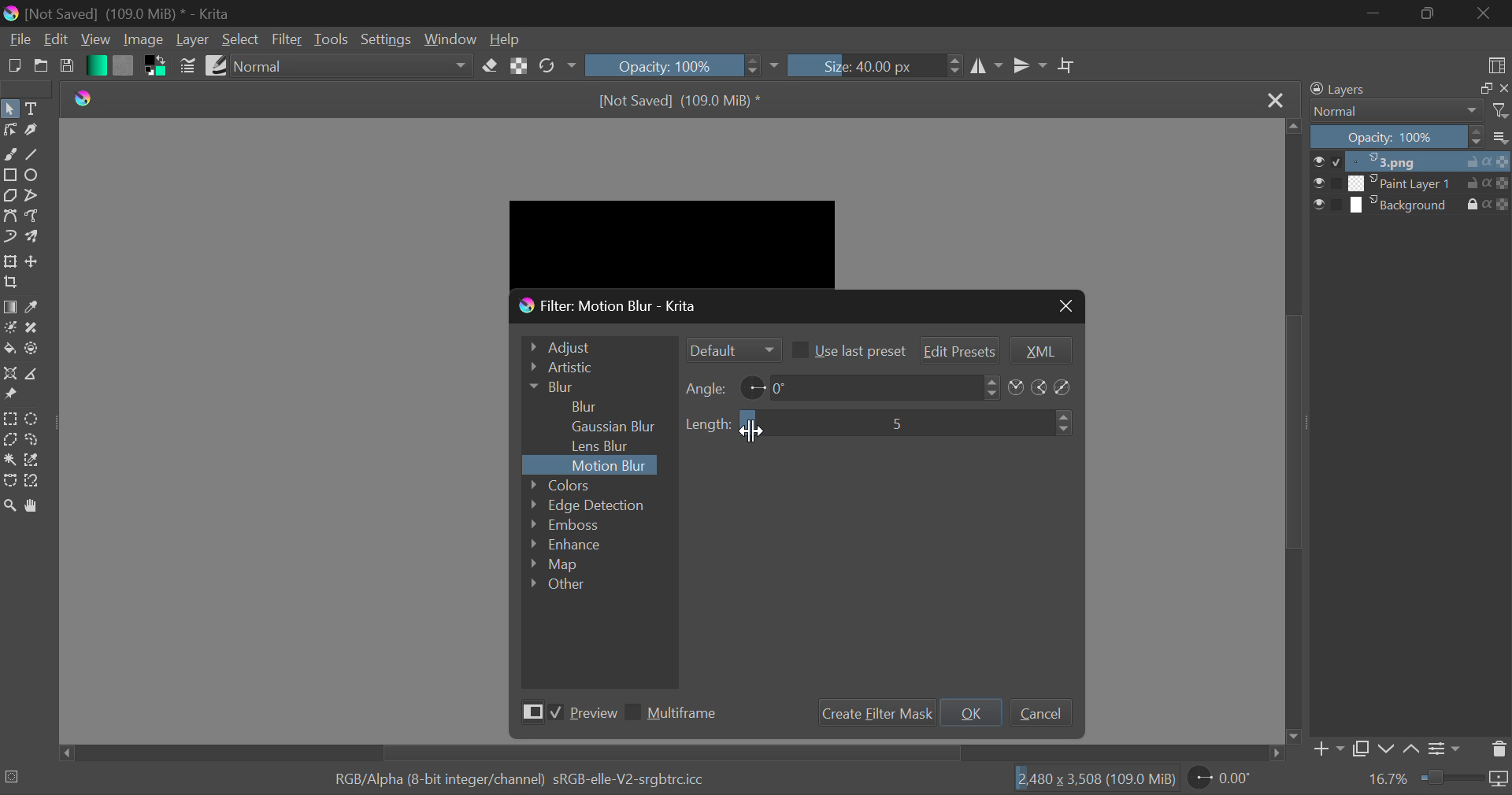 The height and width of the screenshot is (795, 1512). I want to click on Reference Images, so click(10, 397).